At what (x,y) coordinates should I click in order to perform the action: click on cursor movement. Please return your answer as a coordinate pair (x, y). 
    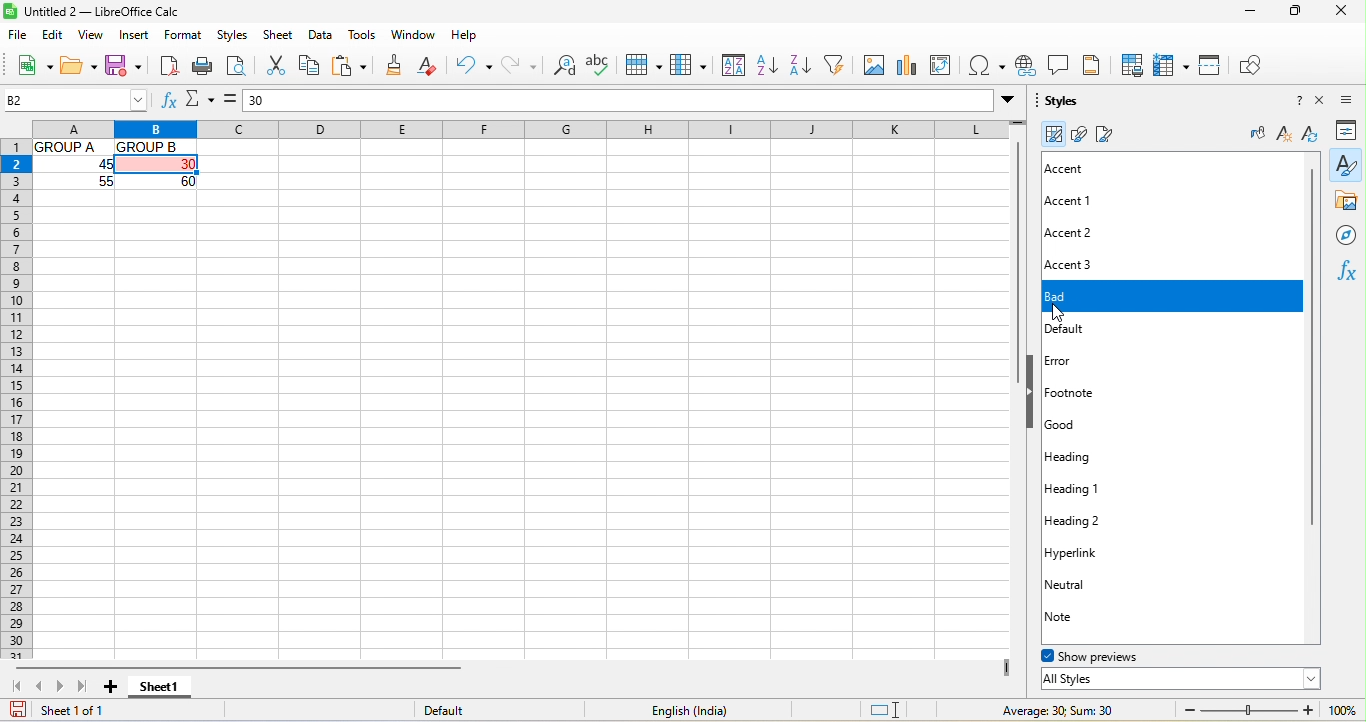
    Looking at the image, I should click on (1058, 314).